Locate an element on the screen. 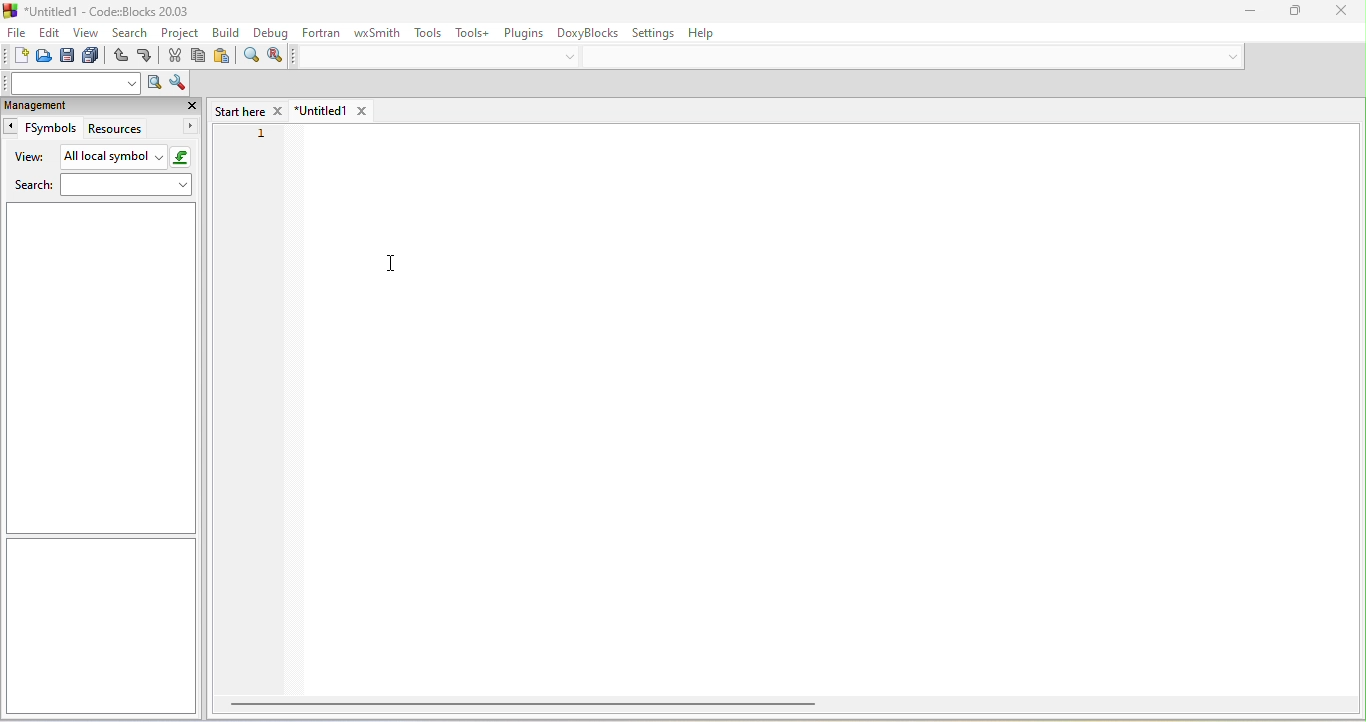  fortran is located at coordinates (324, 35).